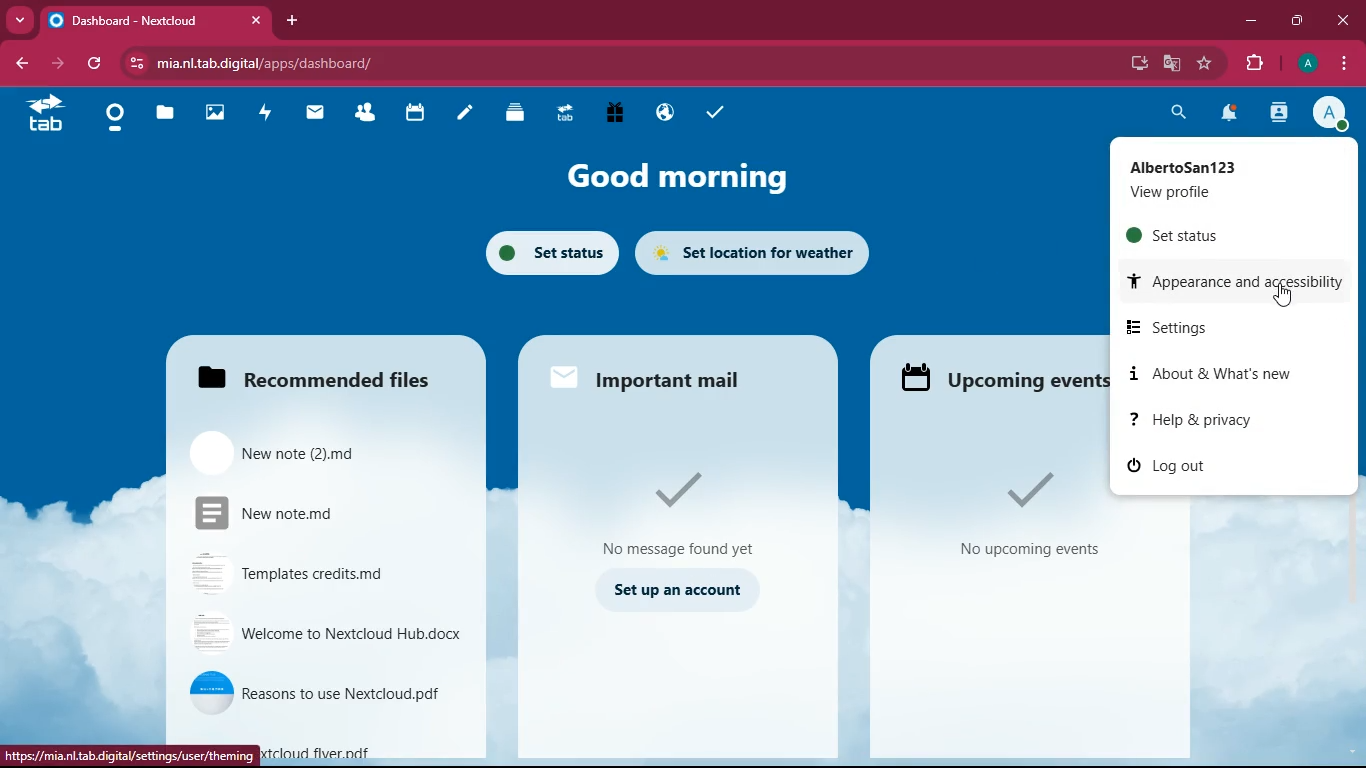  What do you see at coordinates (1205, 63) in the screenshot?
I see `favourite` at bounding box center [1205, 63].